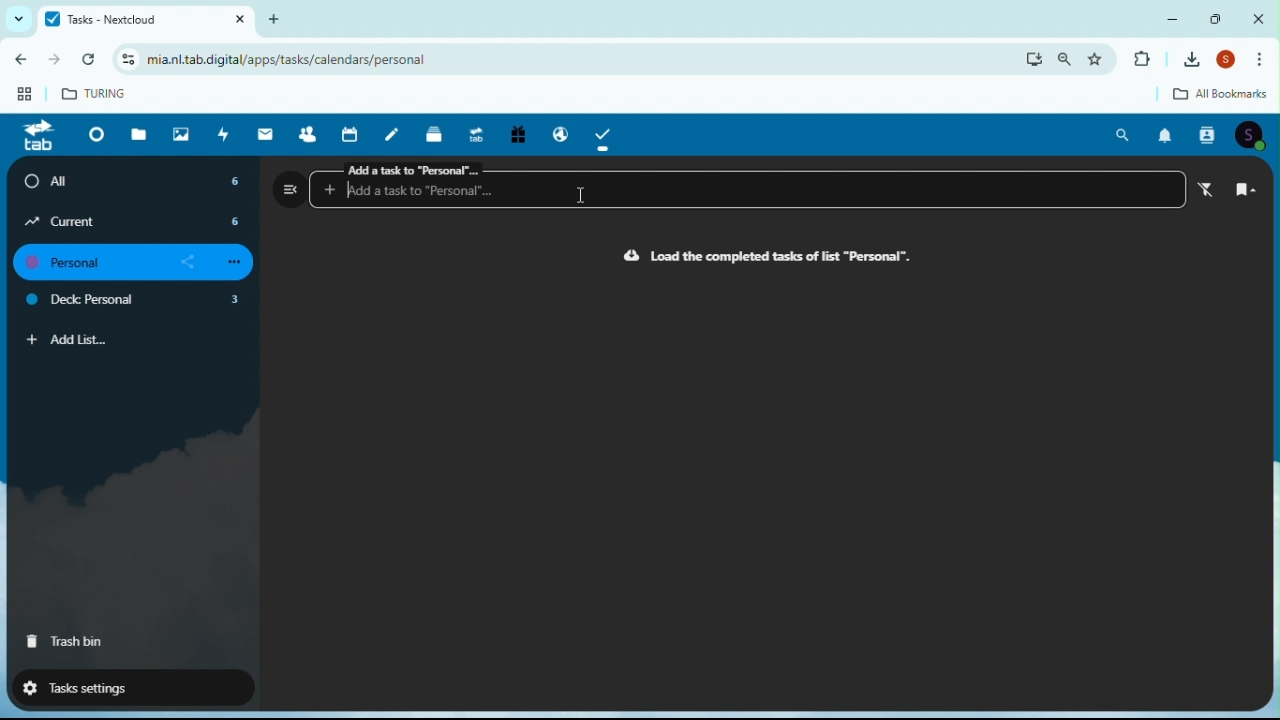 This screenshot has width=1280, height=720. Describe the element at coordinates (66, 642) in the screenshot. I see `trashbin` at that location.